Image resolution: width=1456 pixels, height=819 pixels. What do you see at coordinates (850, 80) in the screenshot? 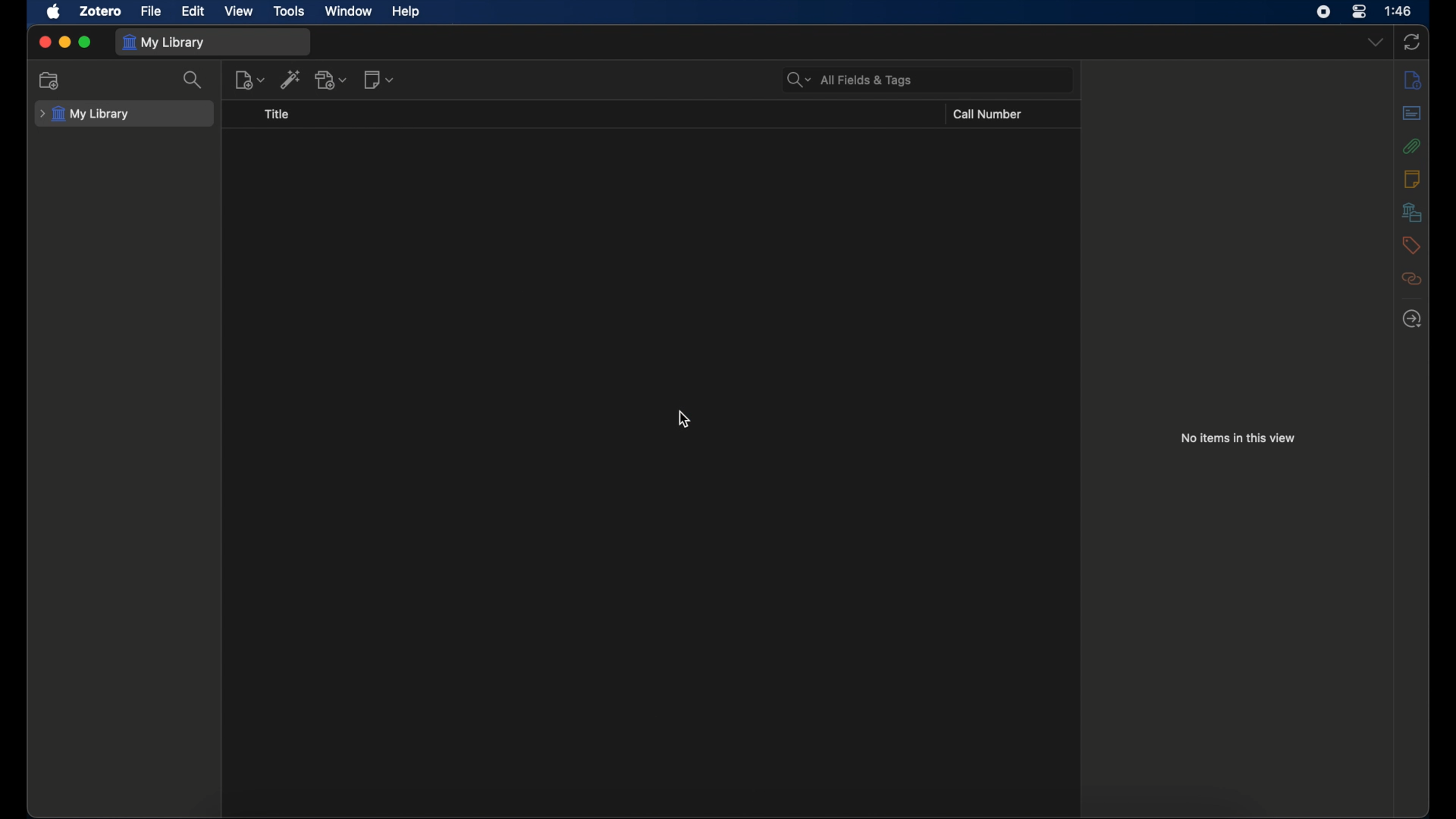
I see `all fields & tags` at bounding box center [850, 80].